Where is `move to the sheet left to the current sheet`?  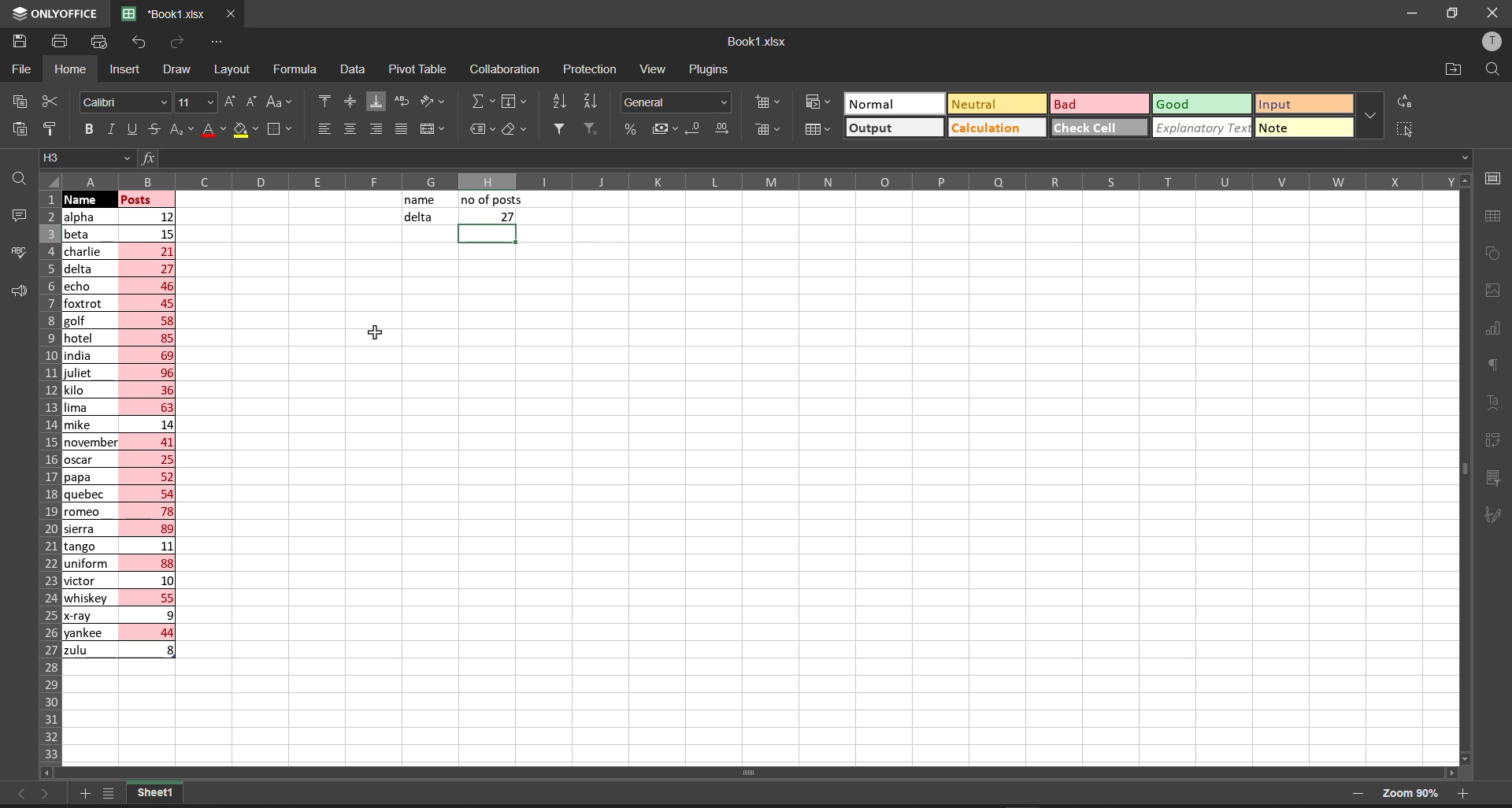 move to the sheet left to the current sheet is located at coordinates (18, 794).